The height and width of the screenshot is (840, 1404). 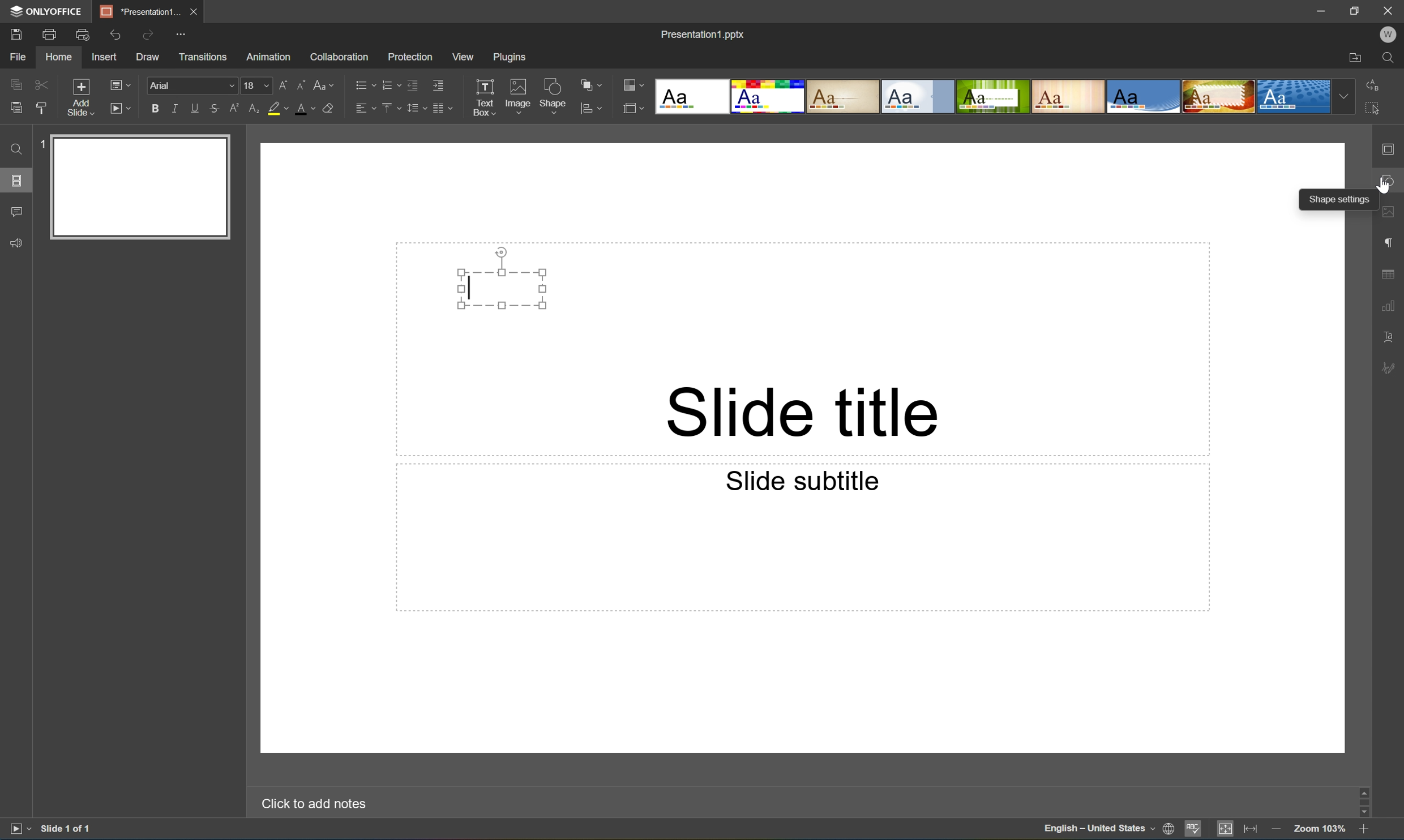 I want to click on Increment font size, so click(x=280, y=83).